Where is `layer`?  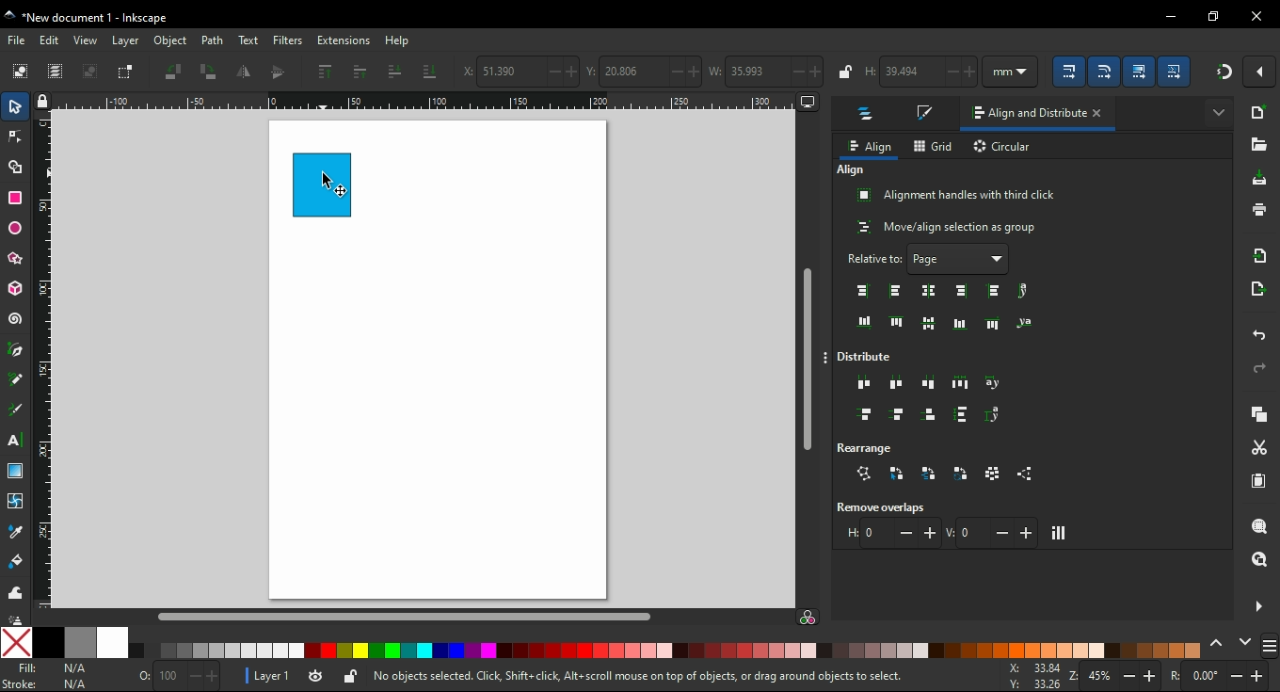
layer is located at coordinates (265, 675).